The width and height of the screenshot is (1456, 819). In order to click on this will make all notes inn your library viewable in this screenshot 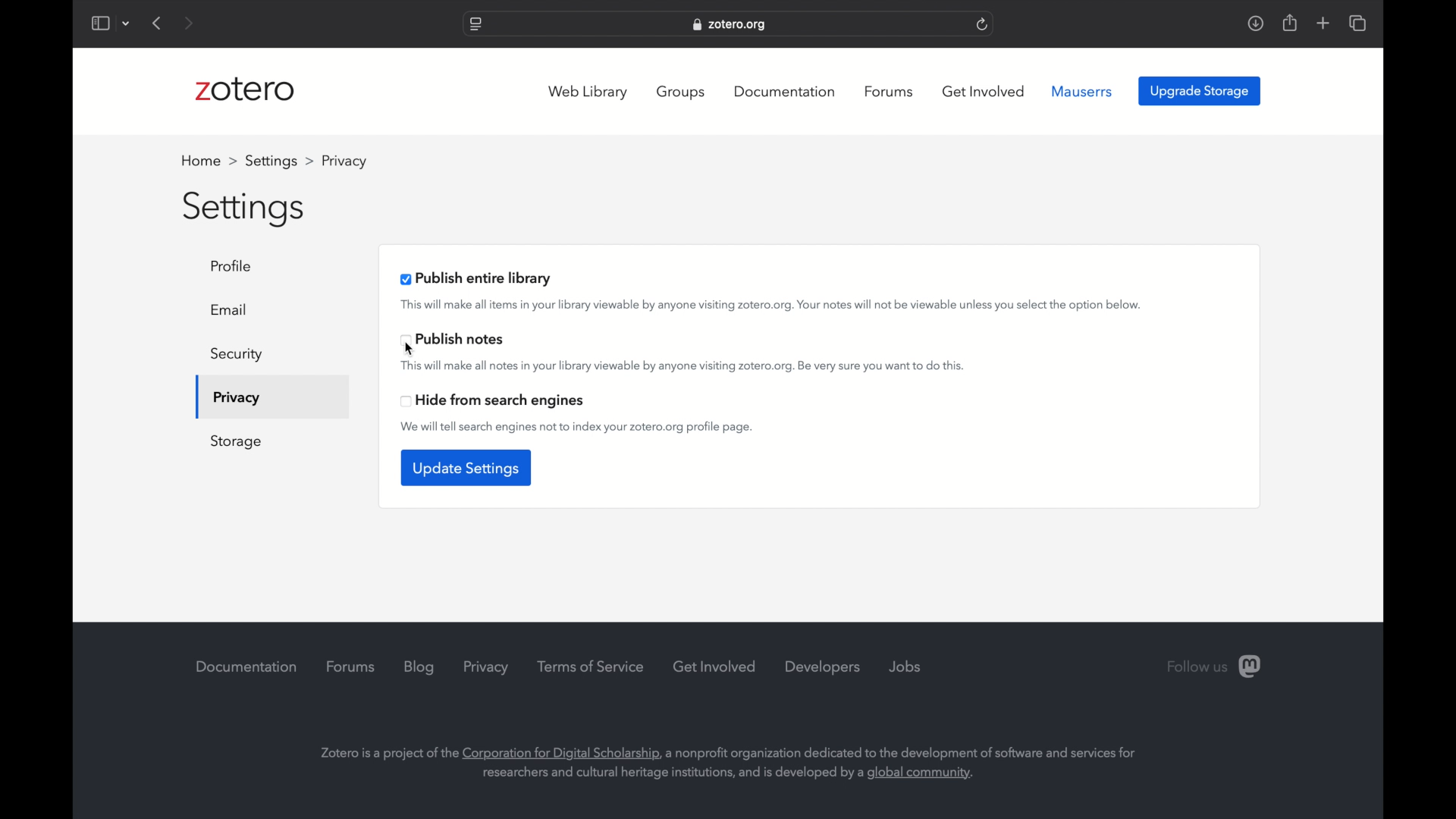, I will do `click(681, 367)`.